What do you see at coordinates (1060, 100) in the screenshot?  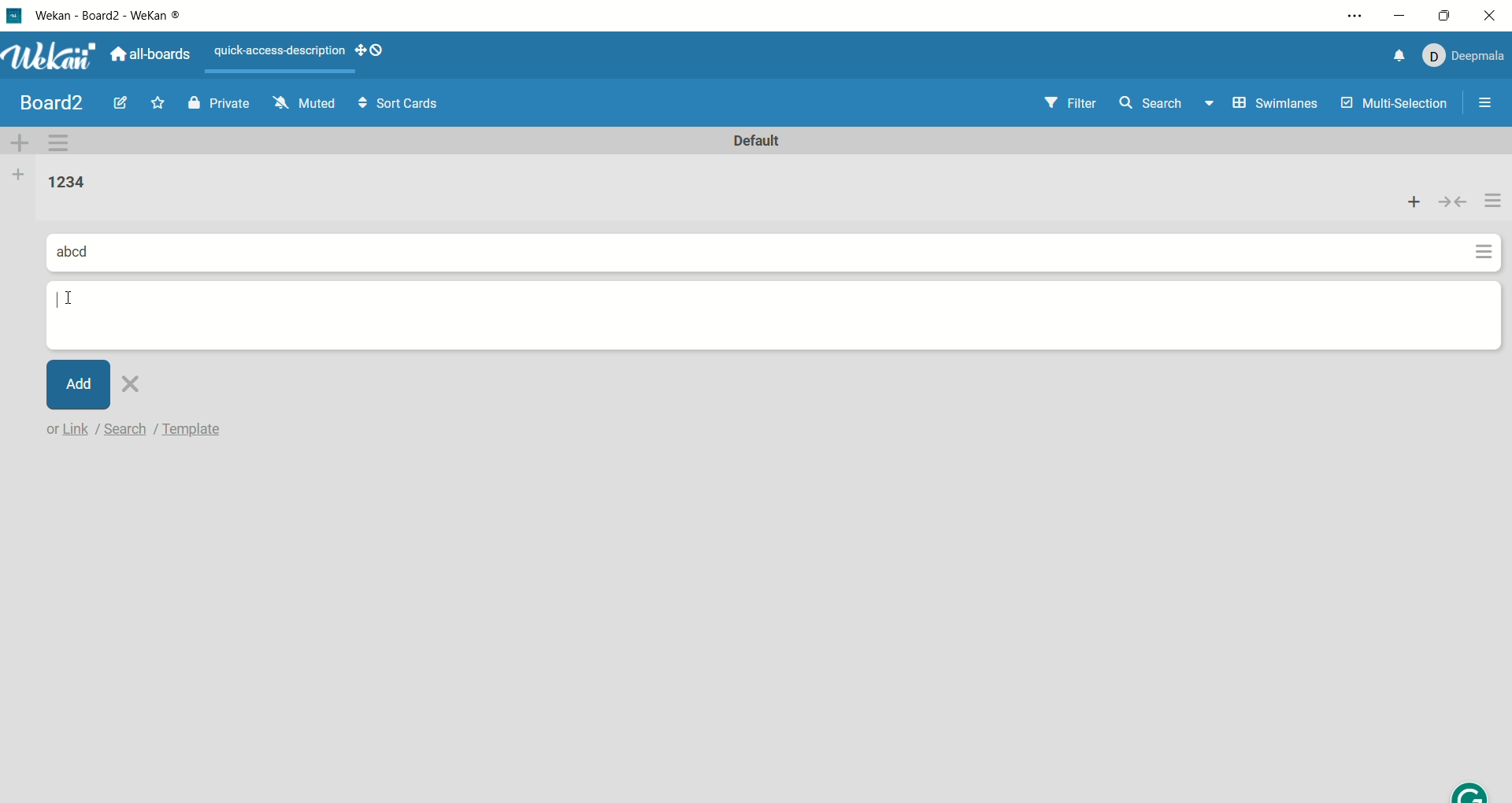 I see `filter` at bounding box center [1060, 100].